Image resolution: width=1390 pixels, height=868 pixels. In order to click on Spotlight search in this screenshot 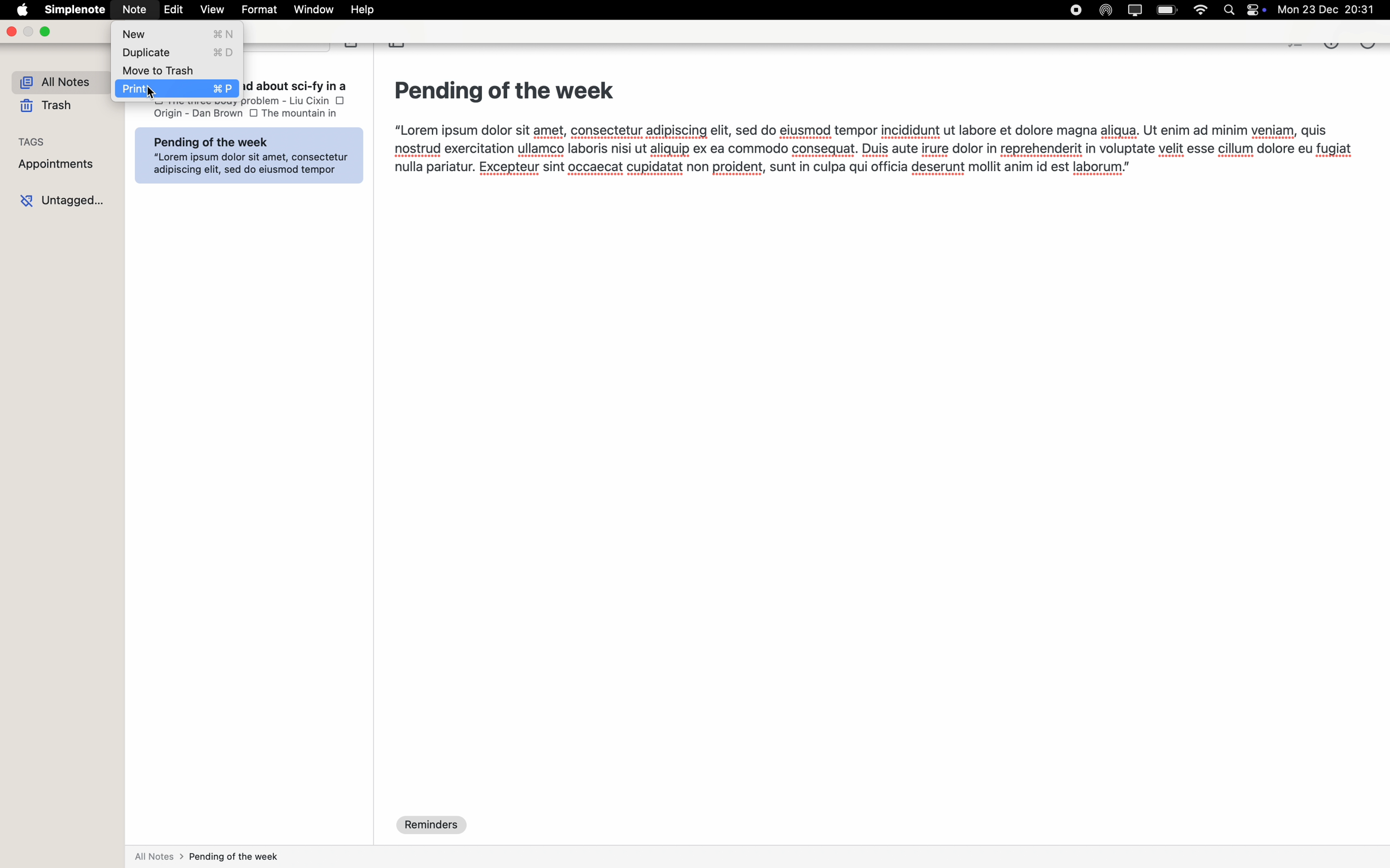, I will do `click(1227, 10)`.